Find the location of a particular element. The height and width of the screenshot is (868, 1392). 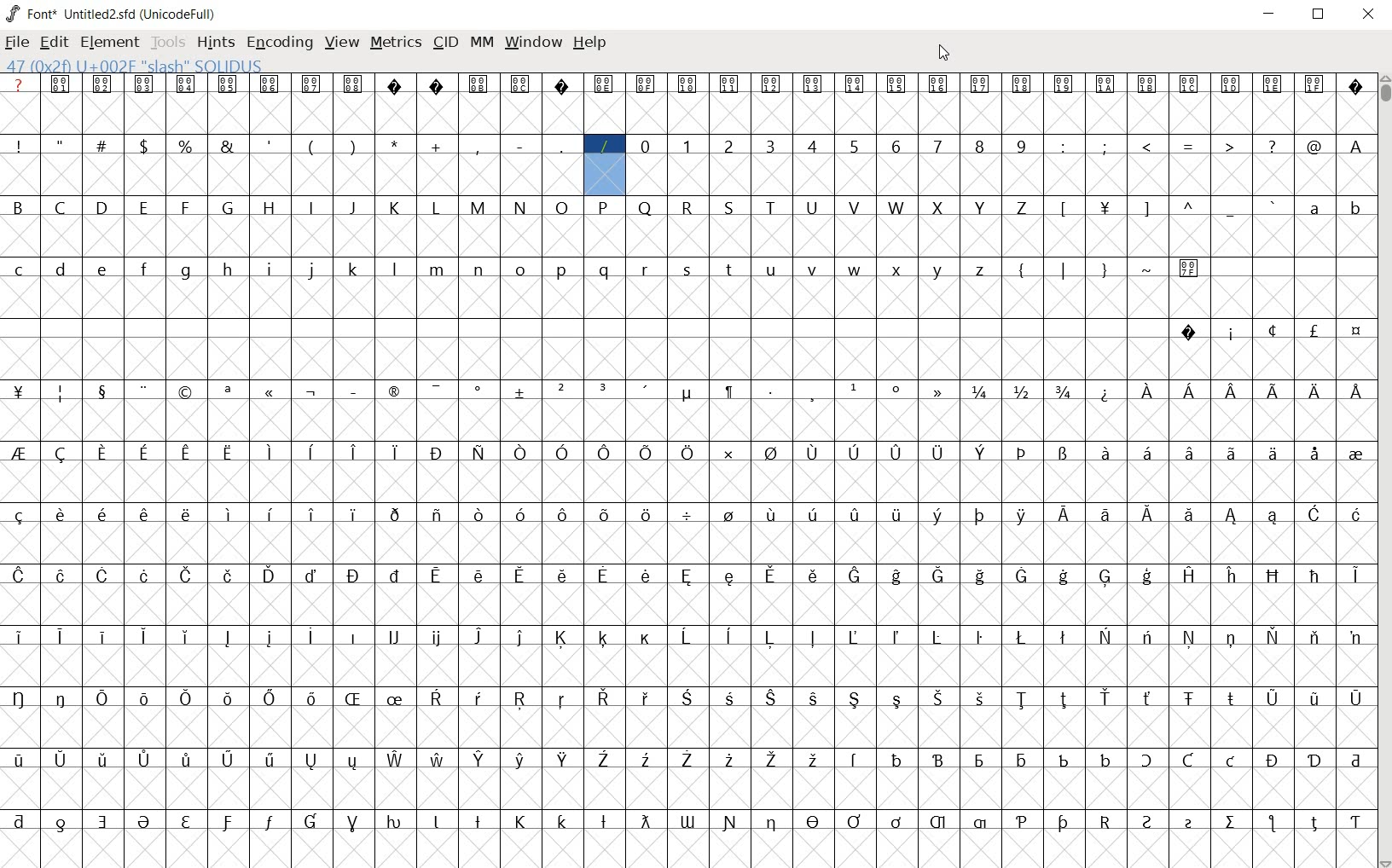

glyph is located at coordinates (311, 452).